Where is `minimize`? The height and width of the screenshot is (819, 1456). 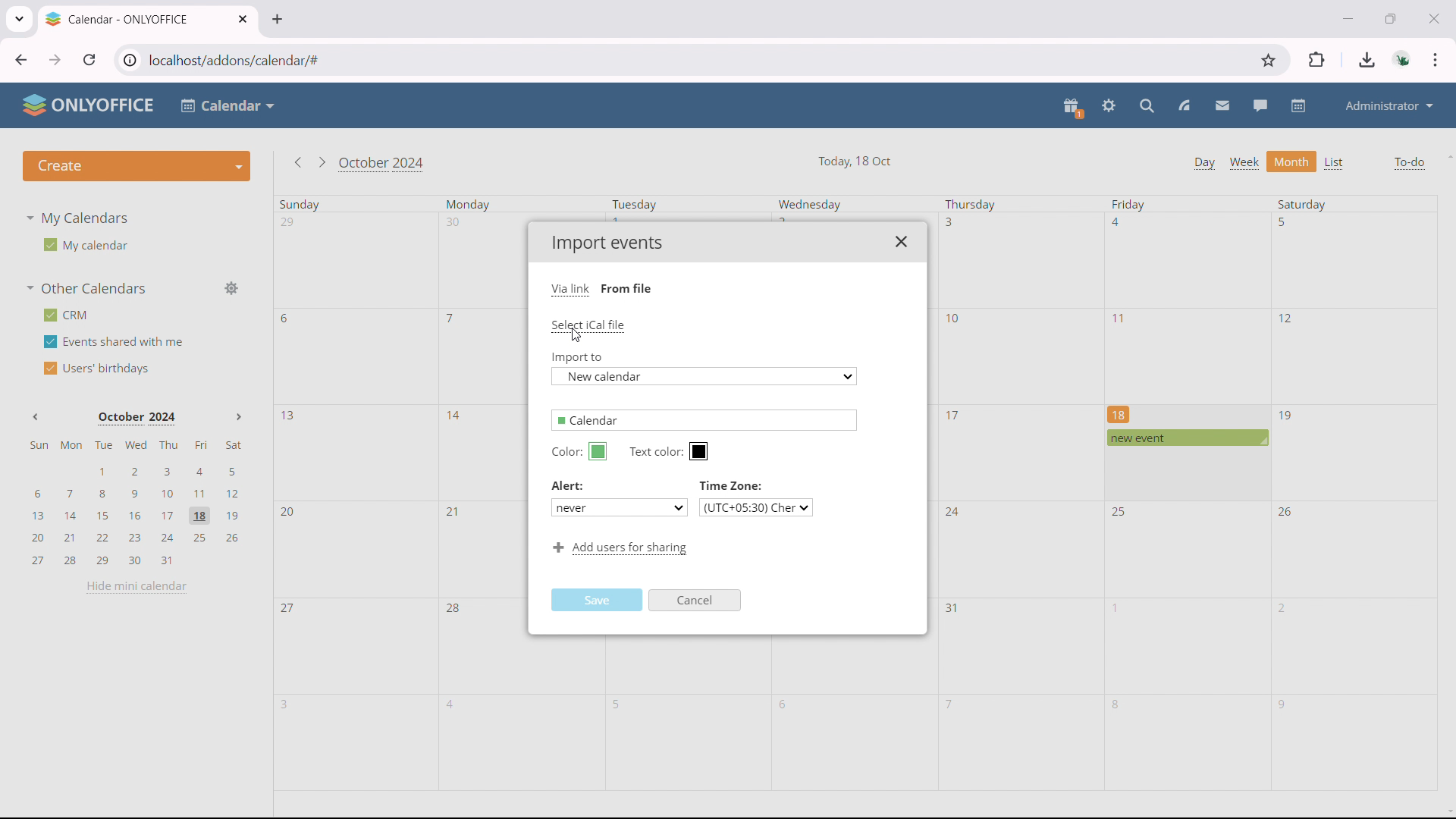 minimize is located at coordinates (1346, 17).